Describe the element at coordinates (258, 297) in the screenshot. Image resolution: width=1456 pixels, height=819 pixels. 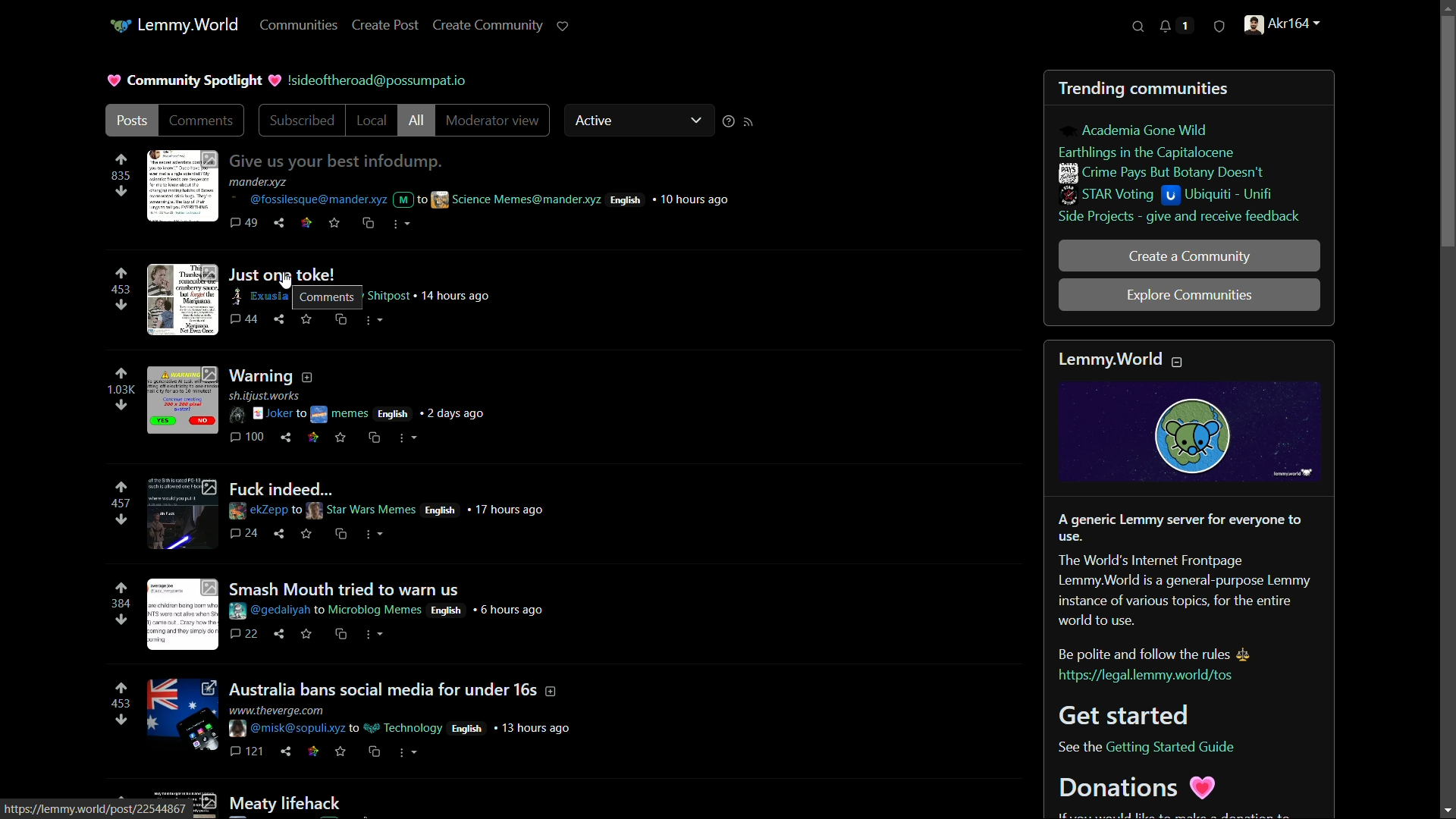
I see `Exusia` at that location.